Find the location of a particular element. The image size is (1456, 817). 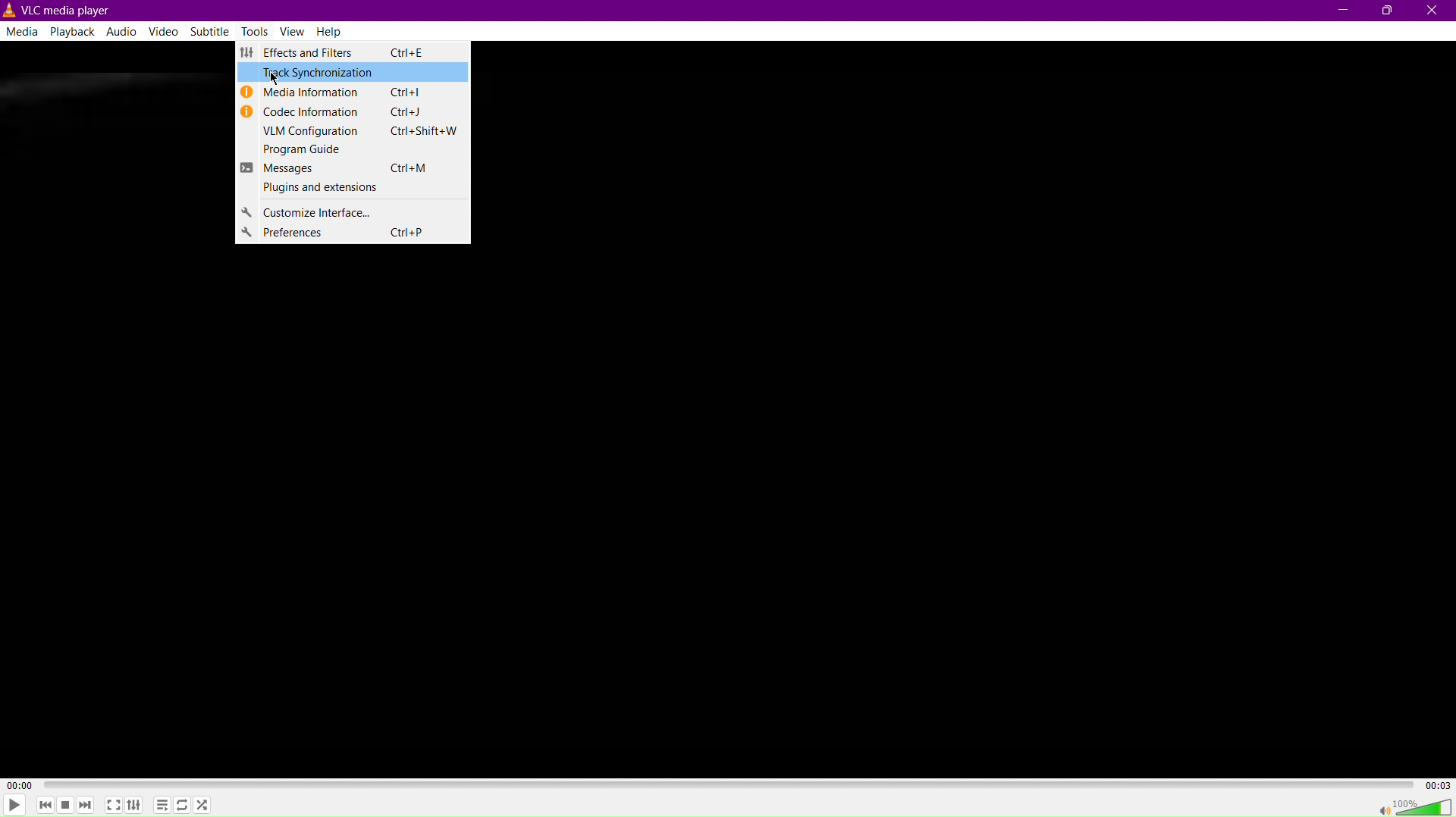

VLM Configuration is located at coordinates (351, 134).